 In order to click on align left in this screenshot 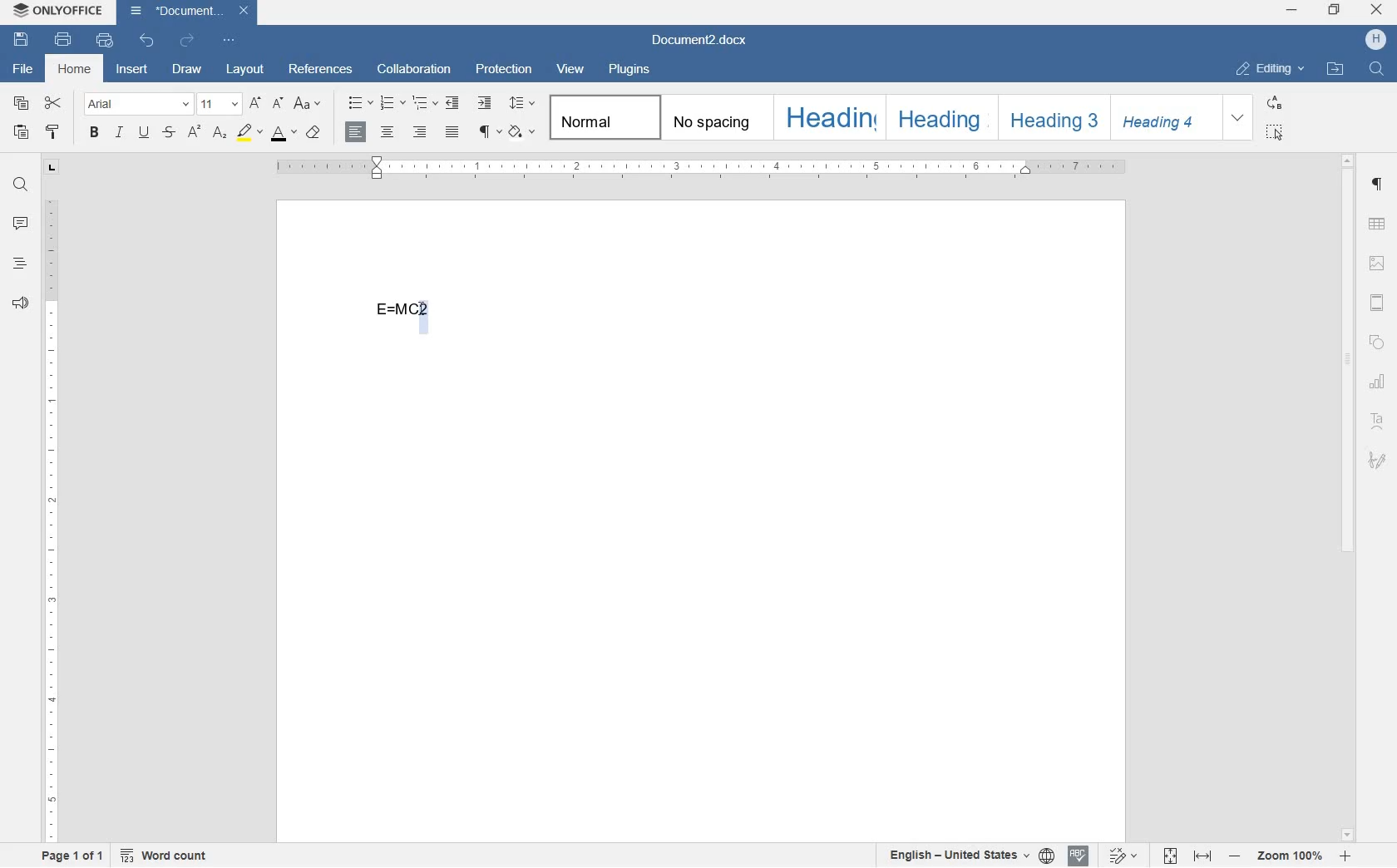, I will do `click(355, 131)`.